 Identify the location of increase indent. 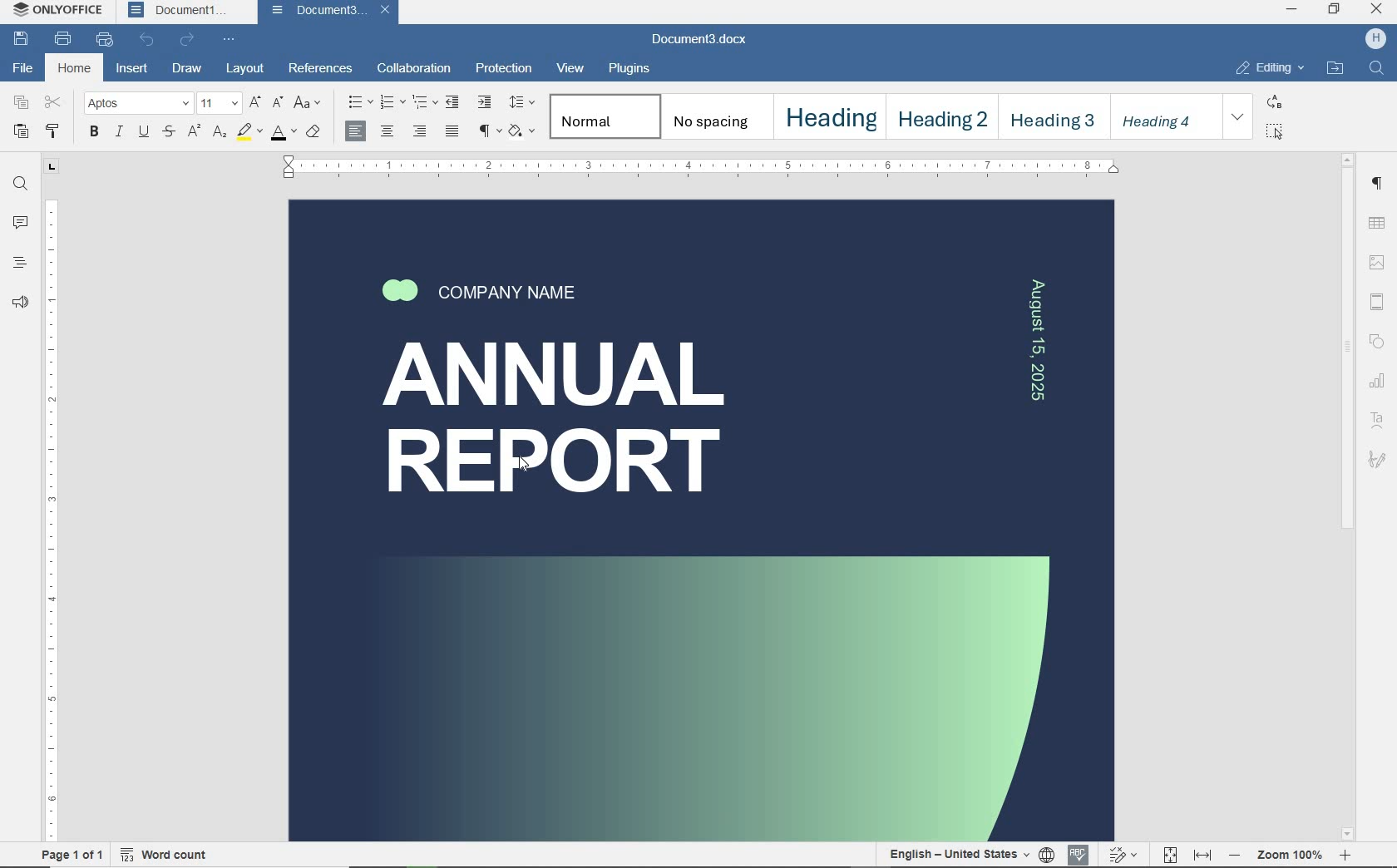
(485, 102).